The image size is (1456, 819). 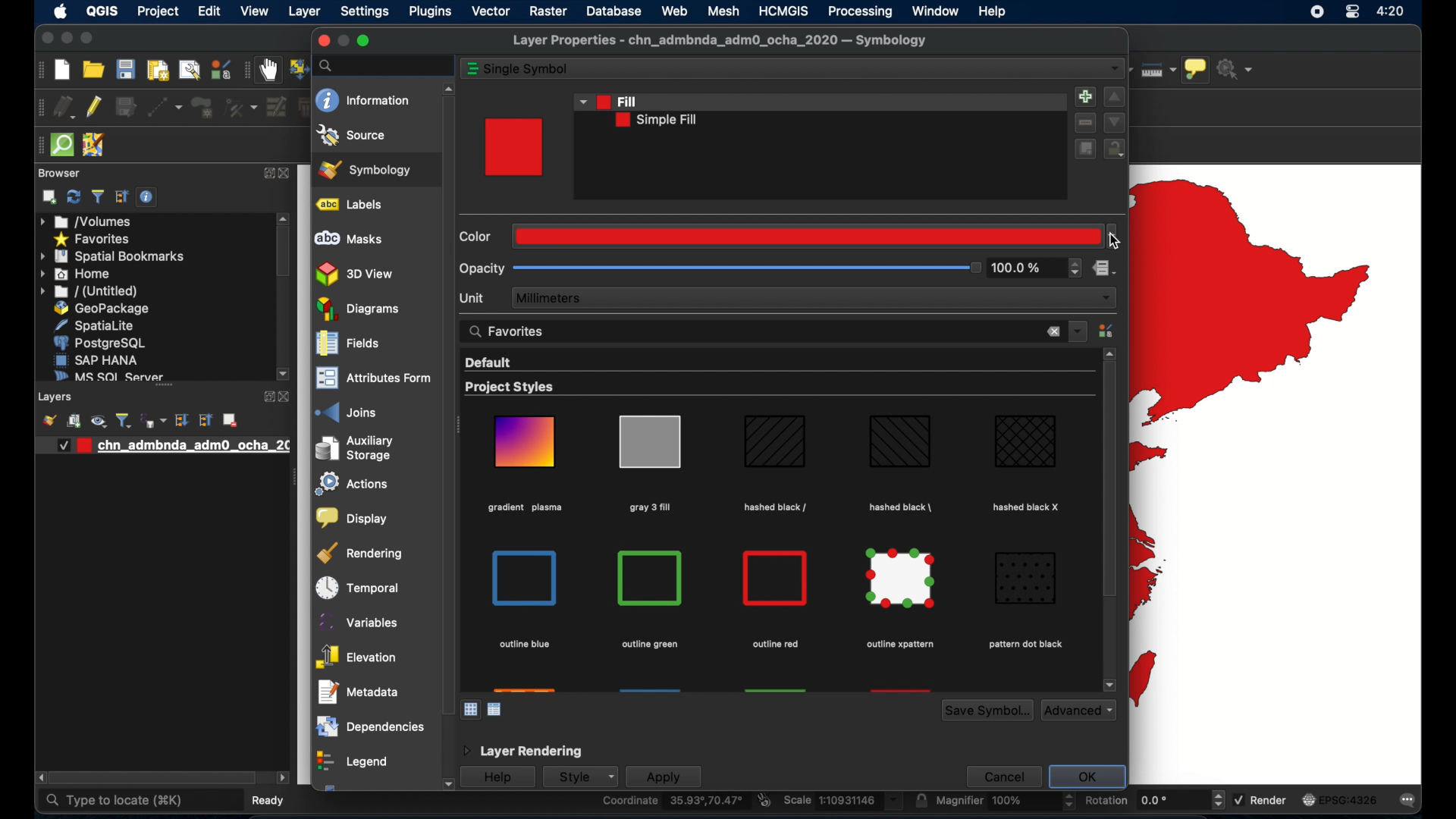 What do you see at coordinates (1028, 507) in the screenshot?
I see `hashed black x` at bounding box center [1028, 507].